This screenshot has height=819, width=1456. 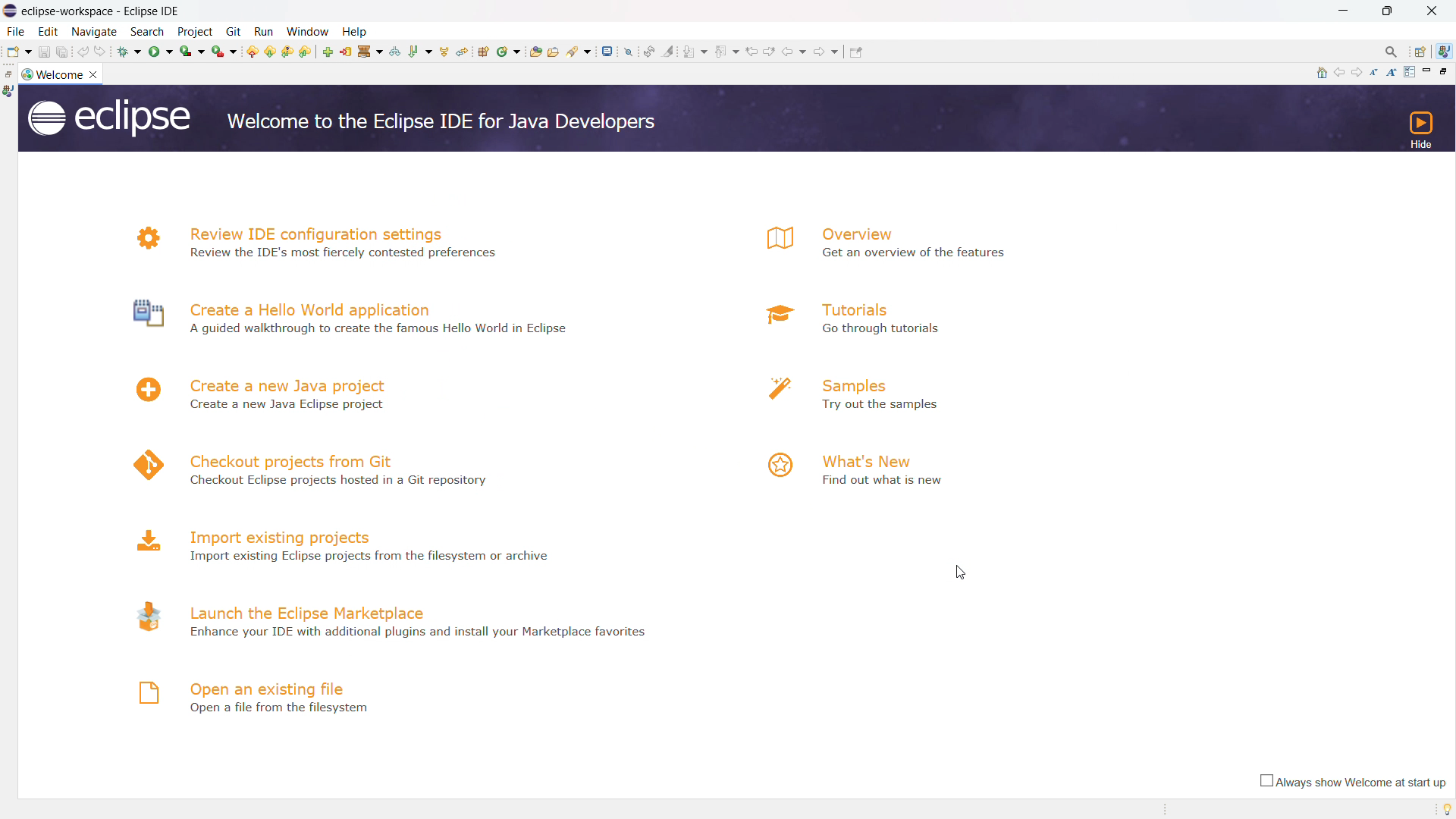 I want to click on Create a new Java Eclipse project, so click(x=287, y=405).